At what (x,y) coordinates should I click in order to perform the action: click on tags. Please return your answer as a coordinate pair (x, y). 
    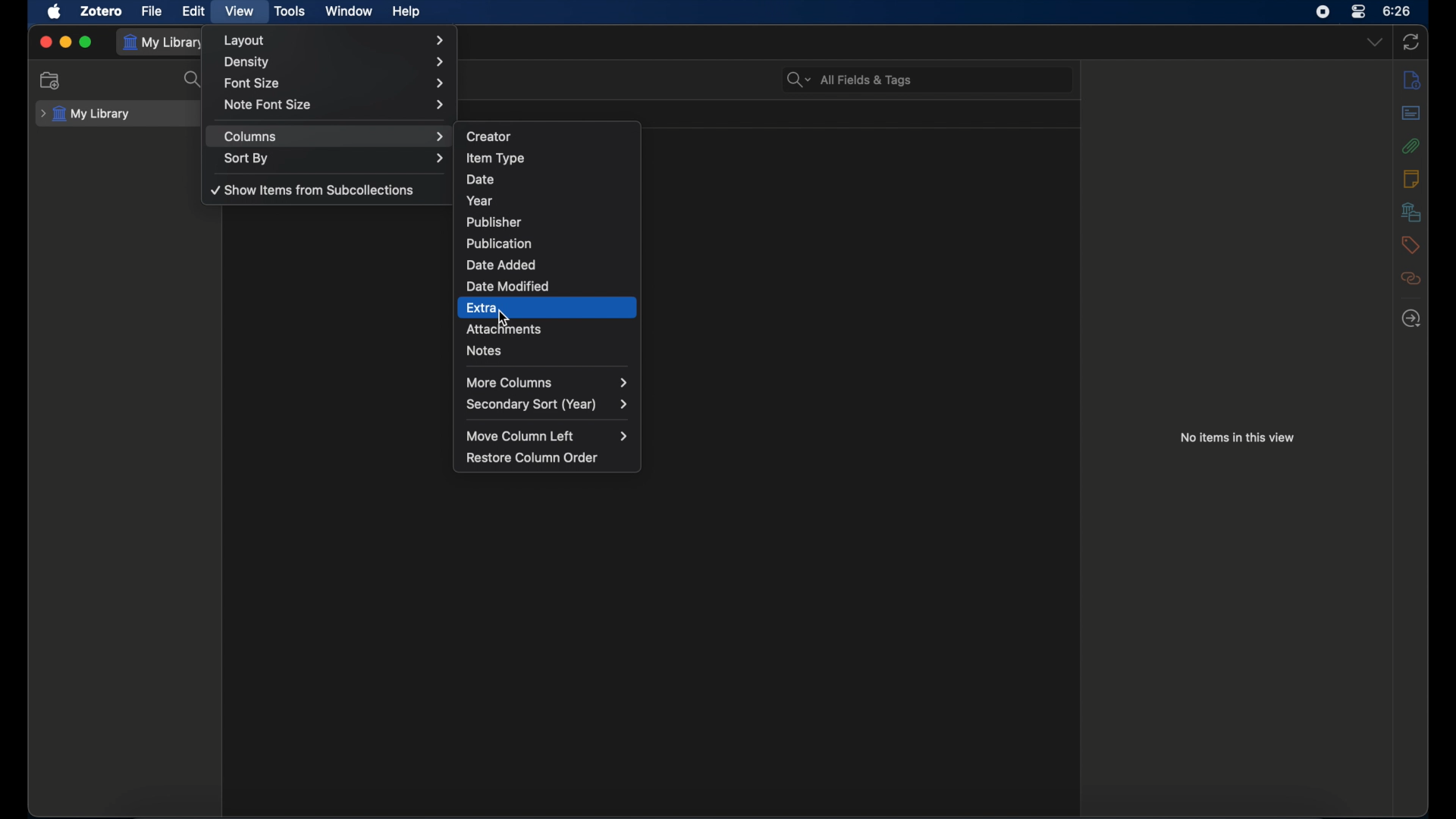
    Looking at the image, I should click on (1410, 245).